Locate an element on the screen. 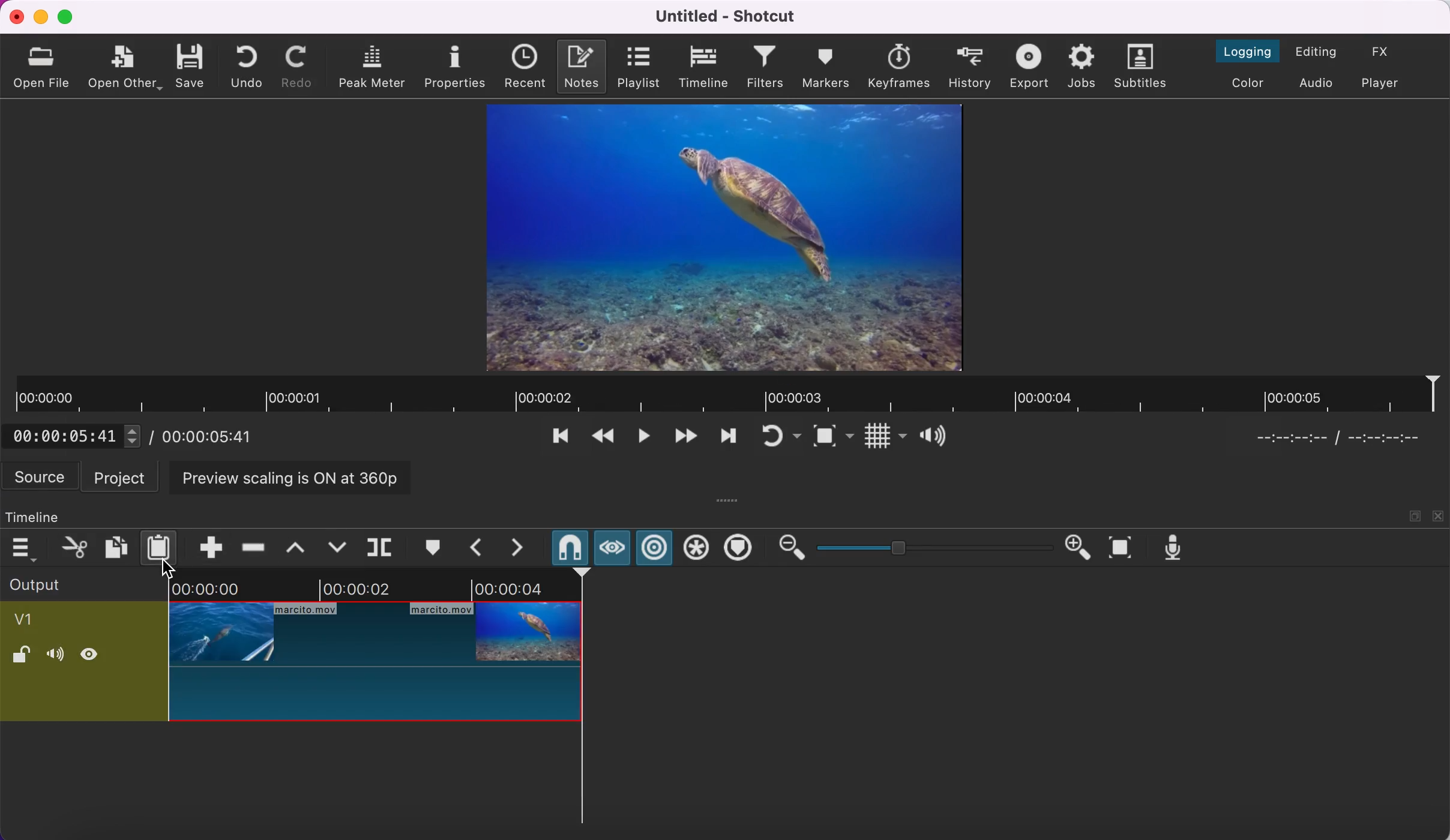 This screenshot has height=840, width=1450. scrub while dragging is located at coordinates (612, 547).